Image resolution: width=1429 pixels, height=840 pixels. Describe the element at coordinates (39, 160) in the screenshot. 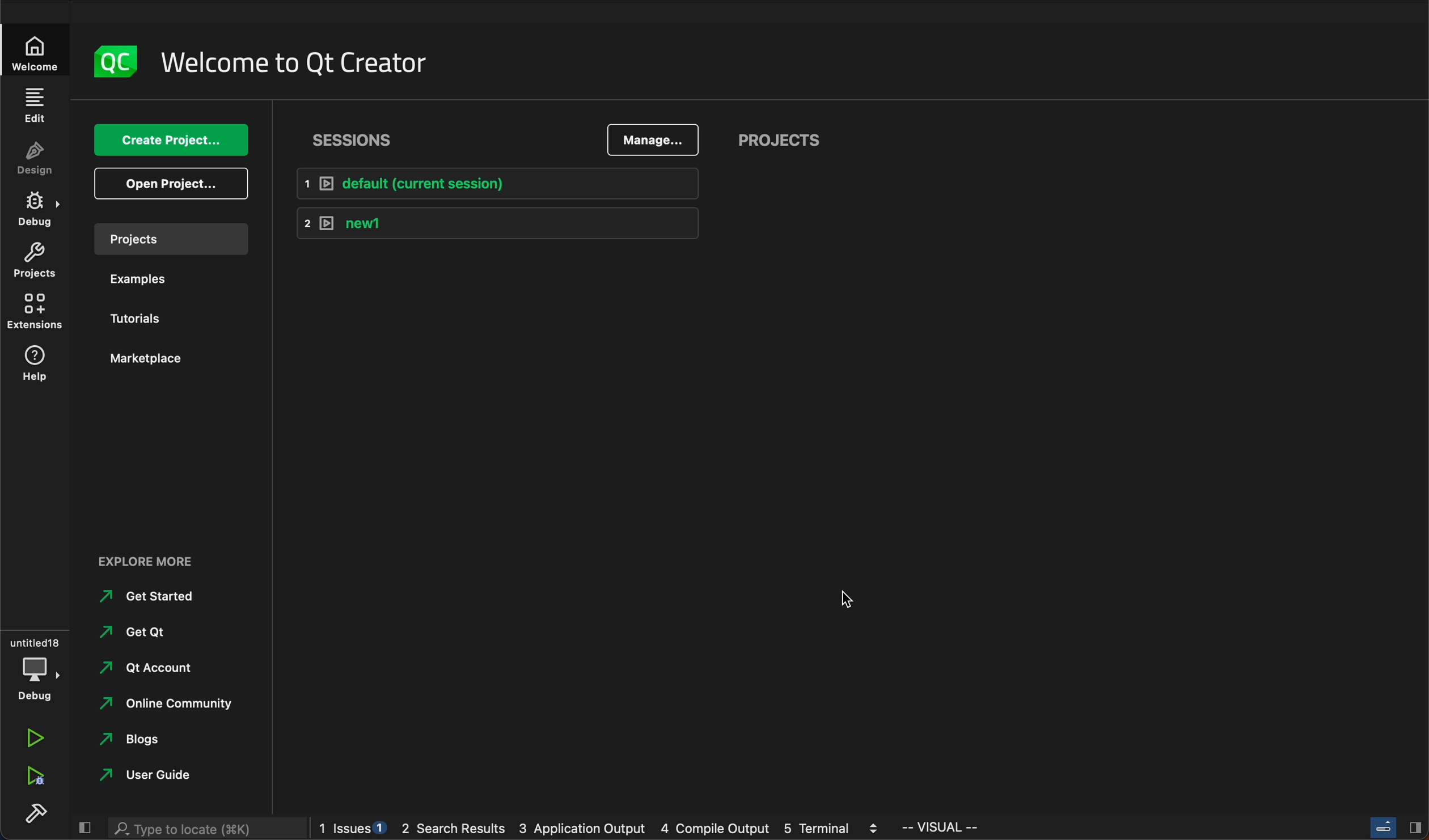

I see `design` at that location.